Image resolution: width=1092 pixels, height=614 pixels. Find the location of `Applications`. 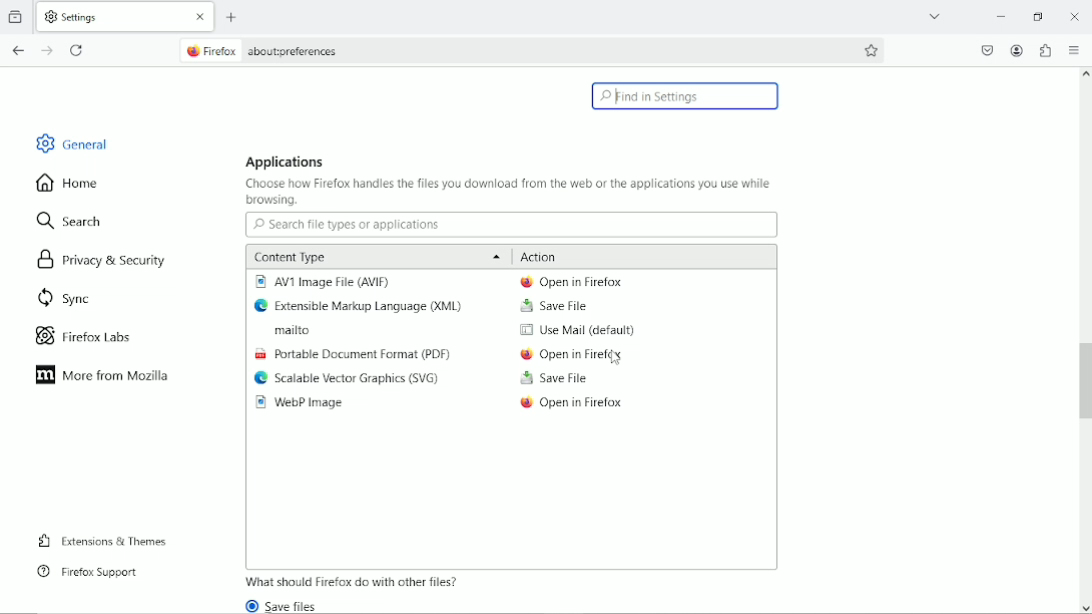

Applications is located at coordinates (286, 161).